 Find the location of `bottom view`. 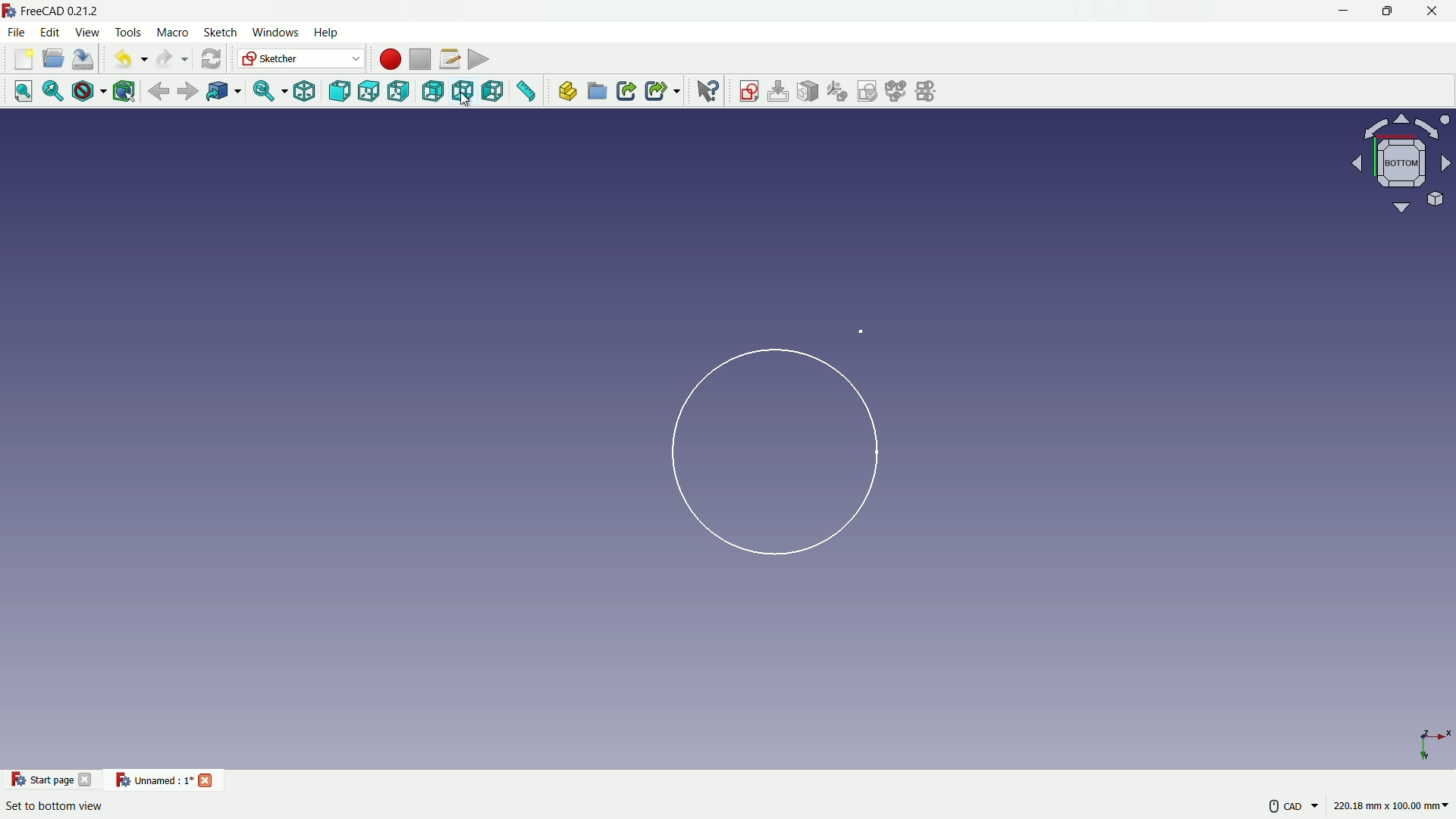

bottom view is located at coordinates (465, 92).